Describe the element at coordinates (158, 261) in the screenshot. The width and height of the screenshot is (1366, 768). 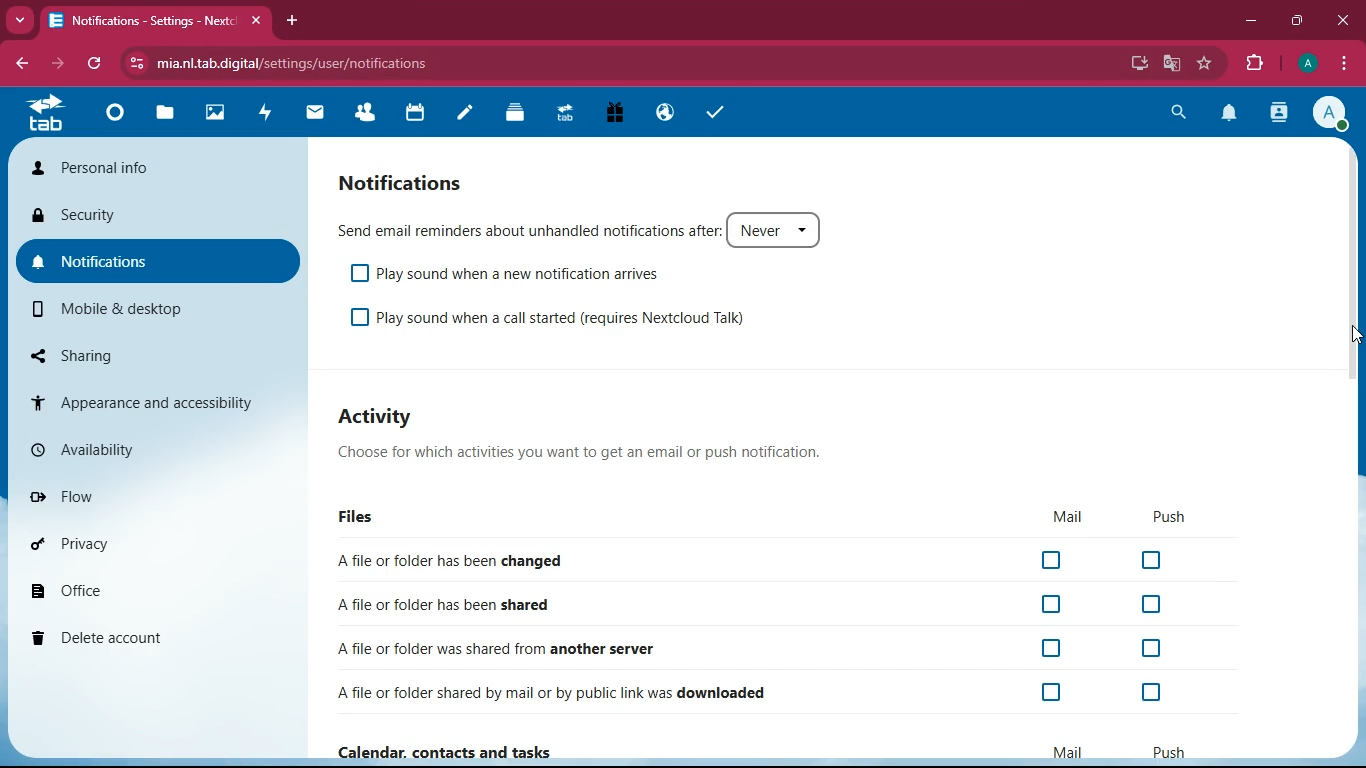
I see `notifications` at that location.